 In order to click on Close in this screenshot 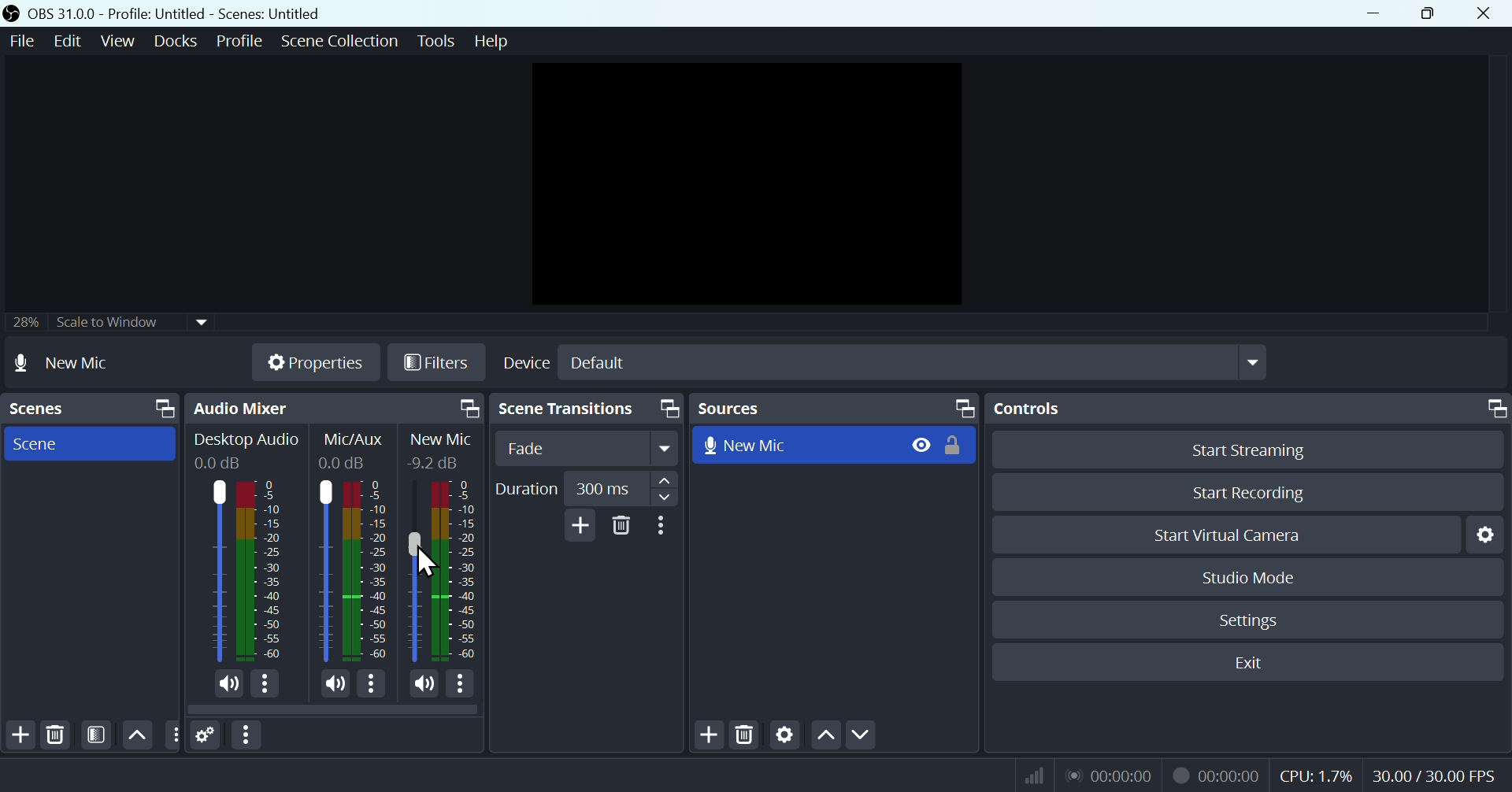, I will do `click(1482, 13)`.